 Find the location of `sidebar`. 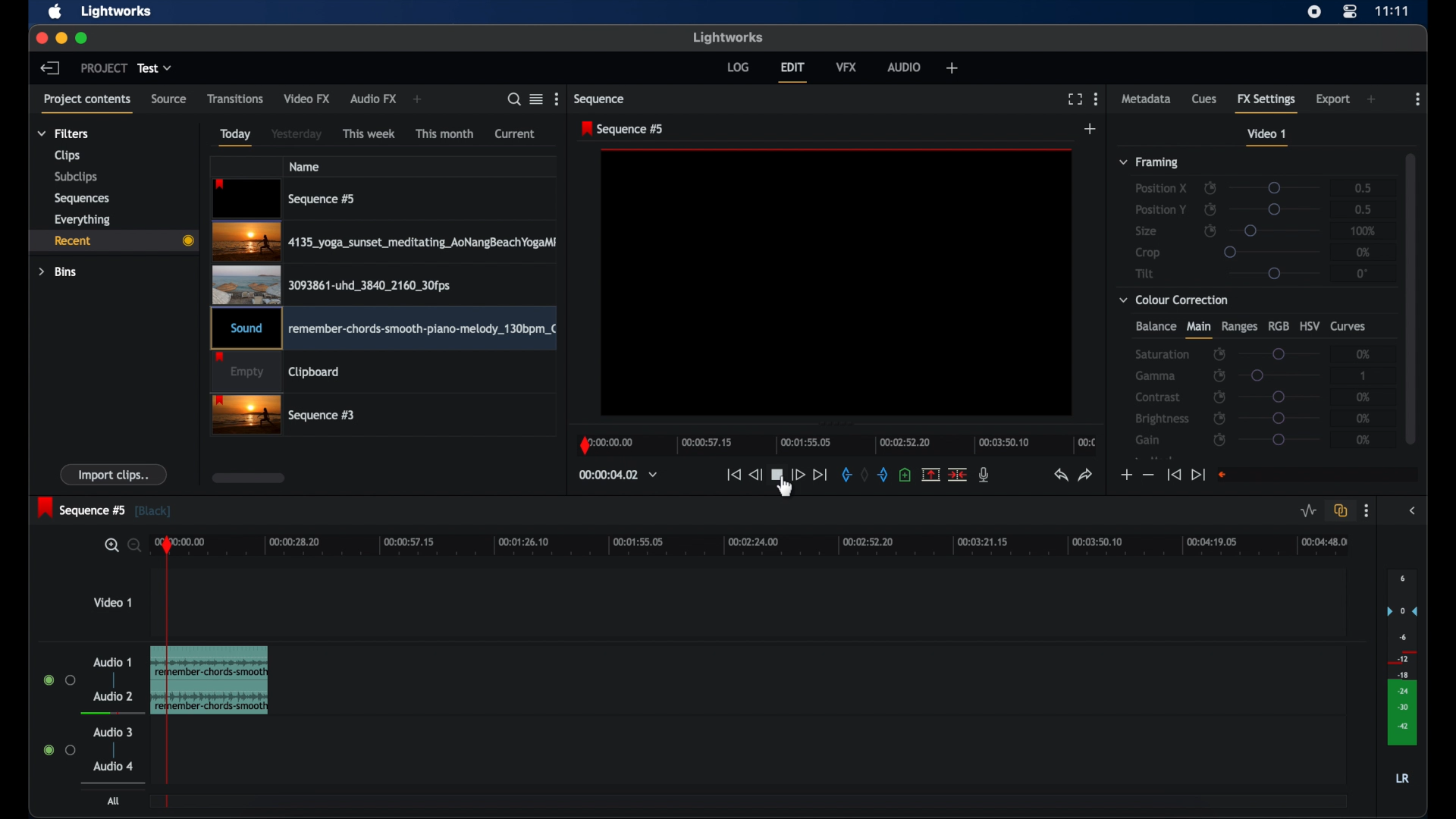

sidebar is located at coordinates (1412, 511).